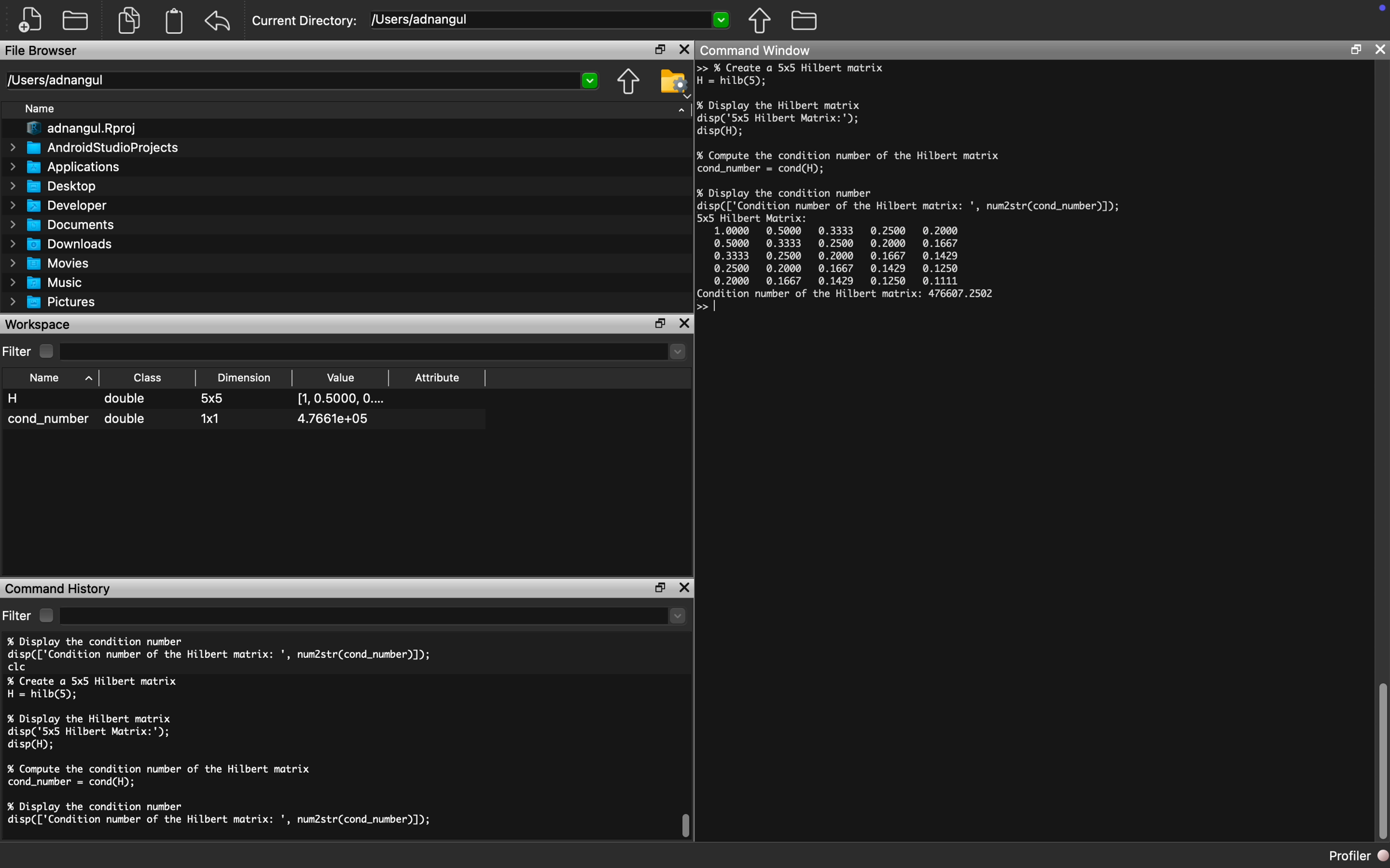 The width and height of the screenshot is (1390, 868). What do you see at coordinates (94, 148) in the screenshot?
I see `AndroidStudioProjects` at bounding box center [94, 148].